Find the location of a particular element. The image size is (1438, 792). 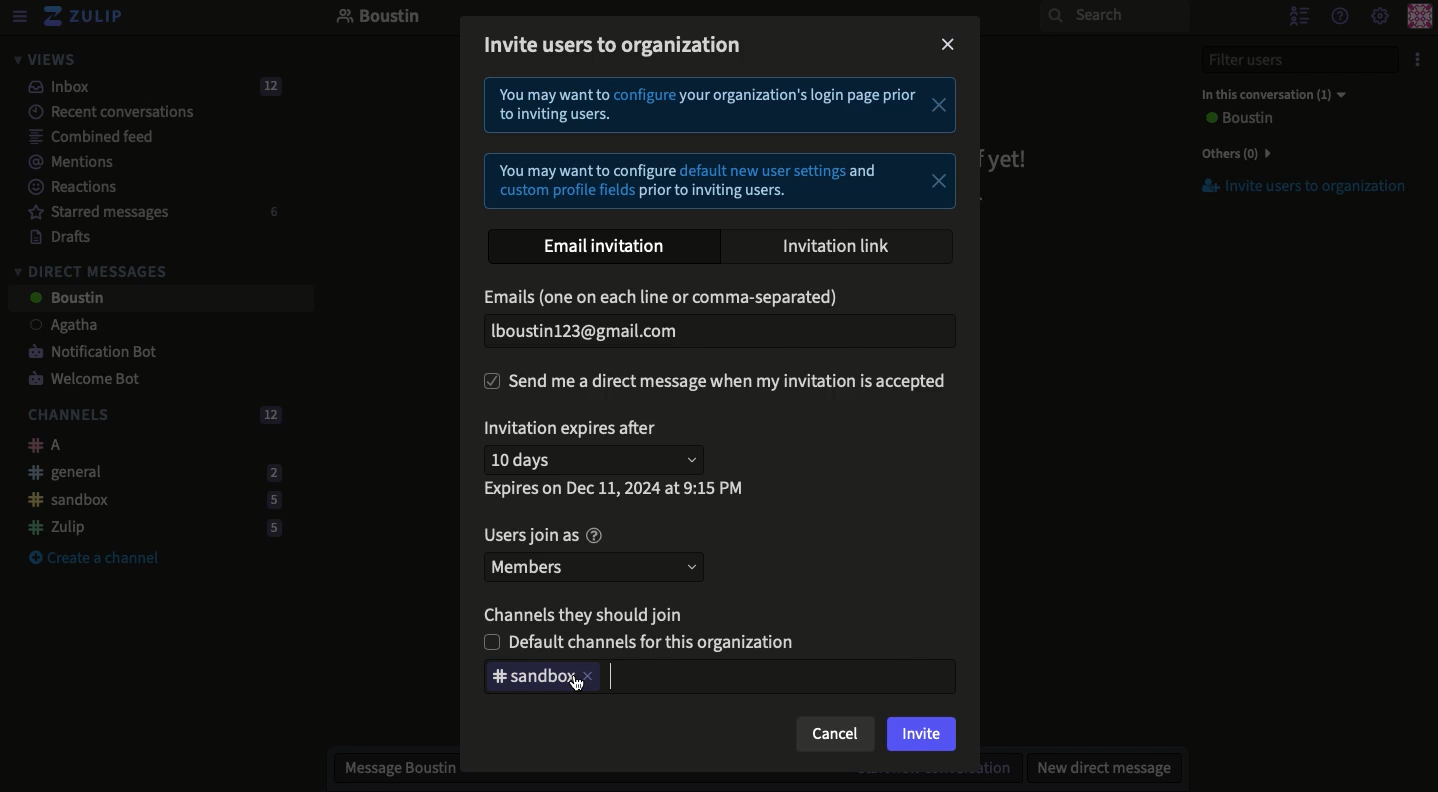

Channels they should join is located at coordinates (590, 613).